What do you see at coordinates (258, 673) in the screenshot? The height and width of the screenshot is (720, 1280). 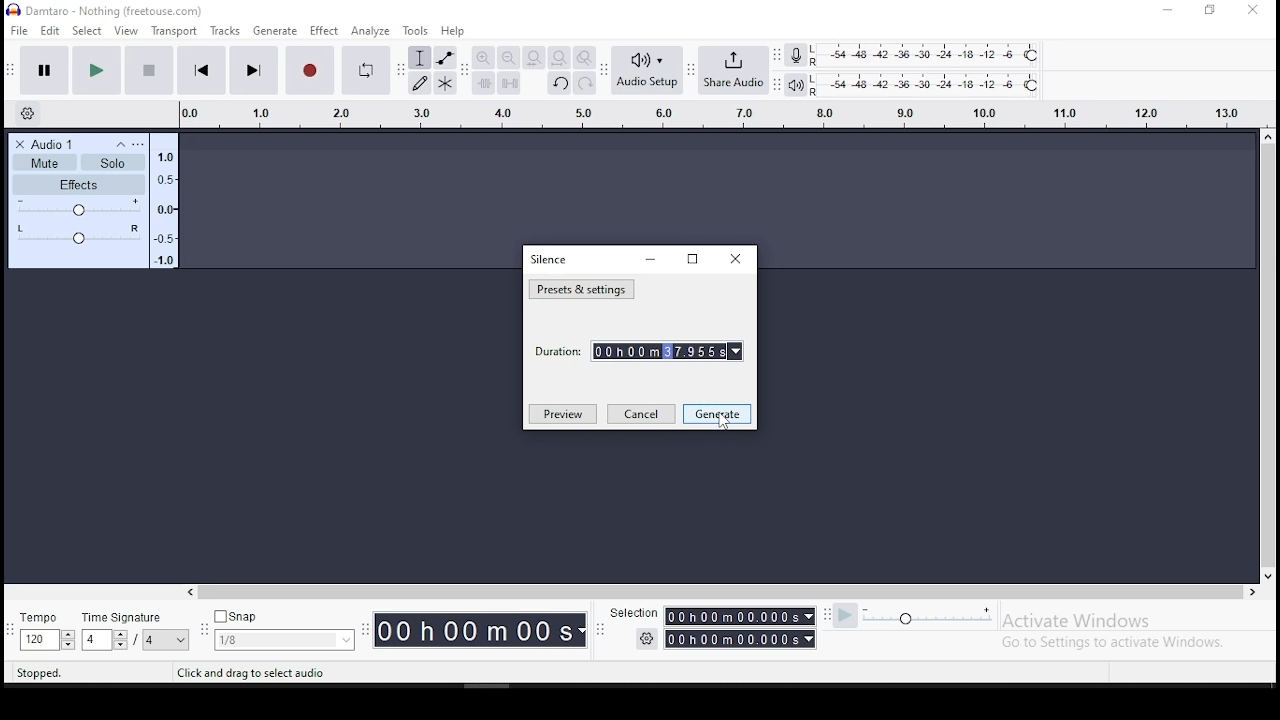 I see `text` at bounding box center [258, 673].